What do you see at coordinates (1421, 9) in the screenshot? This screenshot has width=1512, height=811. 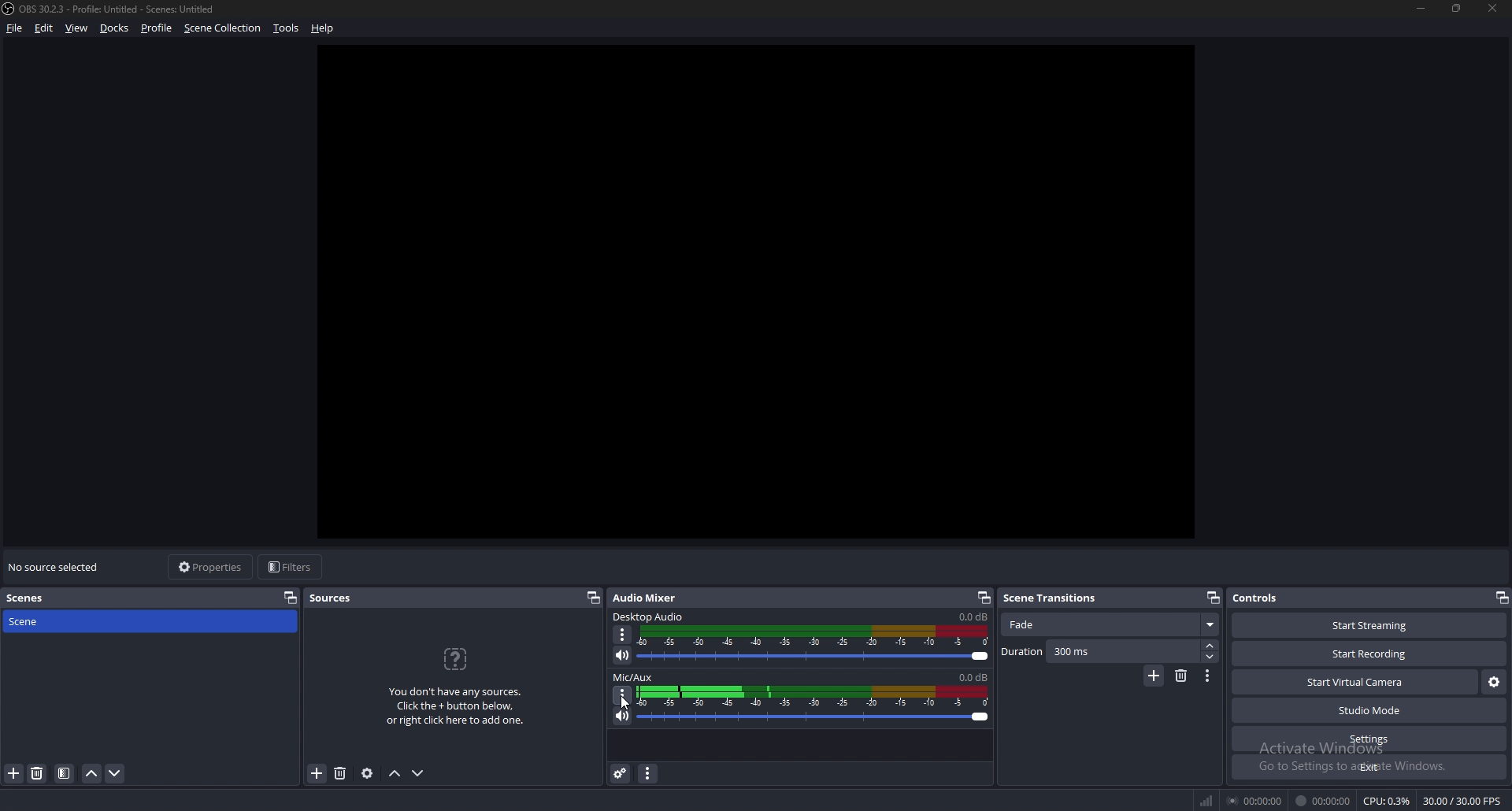 I see `minimize` at bounding box center [1421, 9].